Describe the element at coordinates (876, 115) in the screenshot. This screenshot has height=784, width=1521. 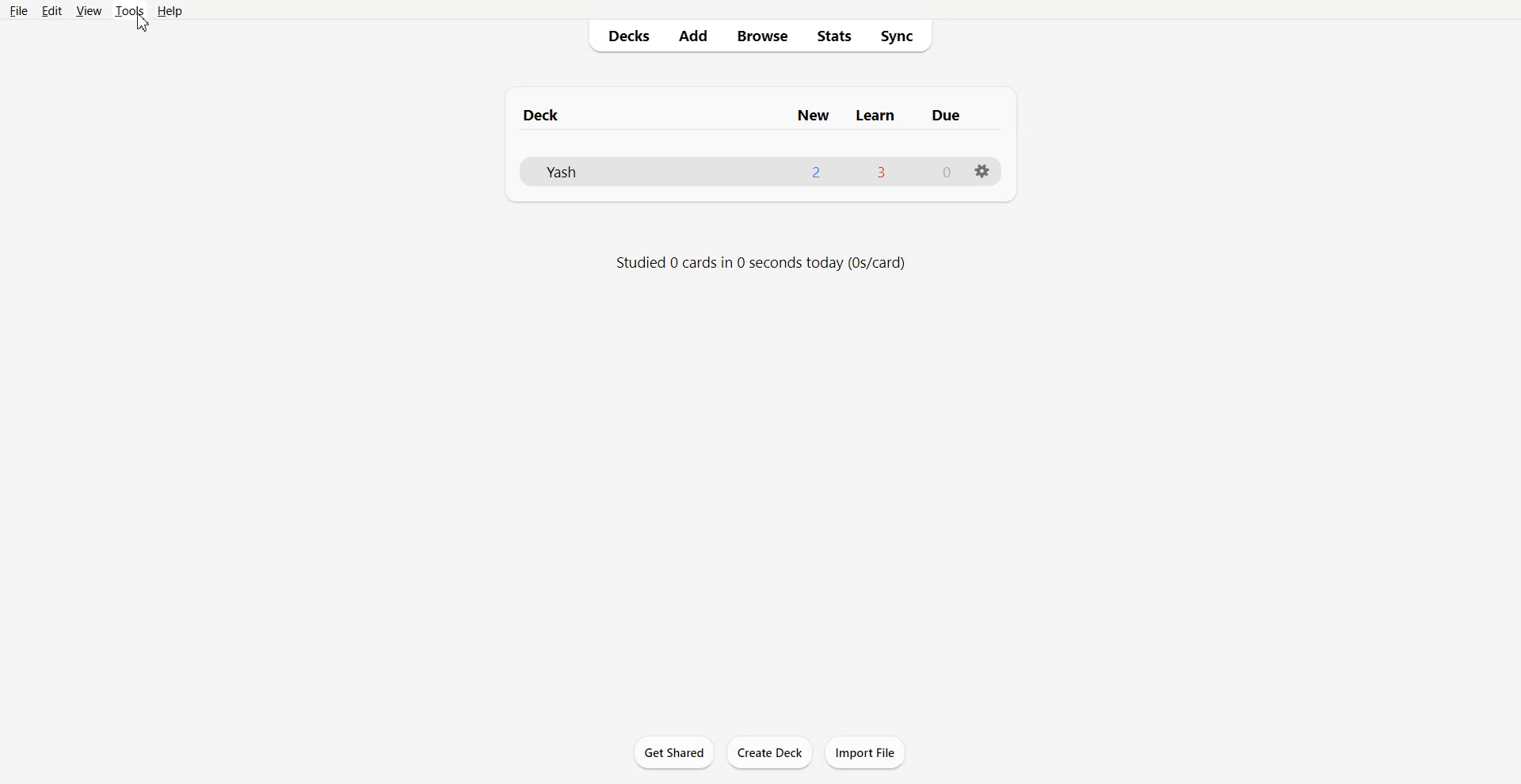
I see `Learn` at that location.